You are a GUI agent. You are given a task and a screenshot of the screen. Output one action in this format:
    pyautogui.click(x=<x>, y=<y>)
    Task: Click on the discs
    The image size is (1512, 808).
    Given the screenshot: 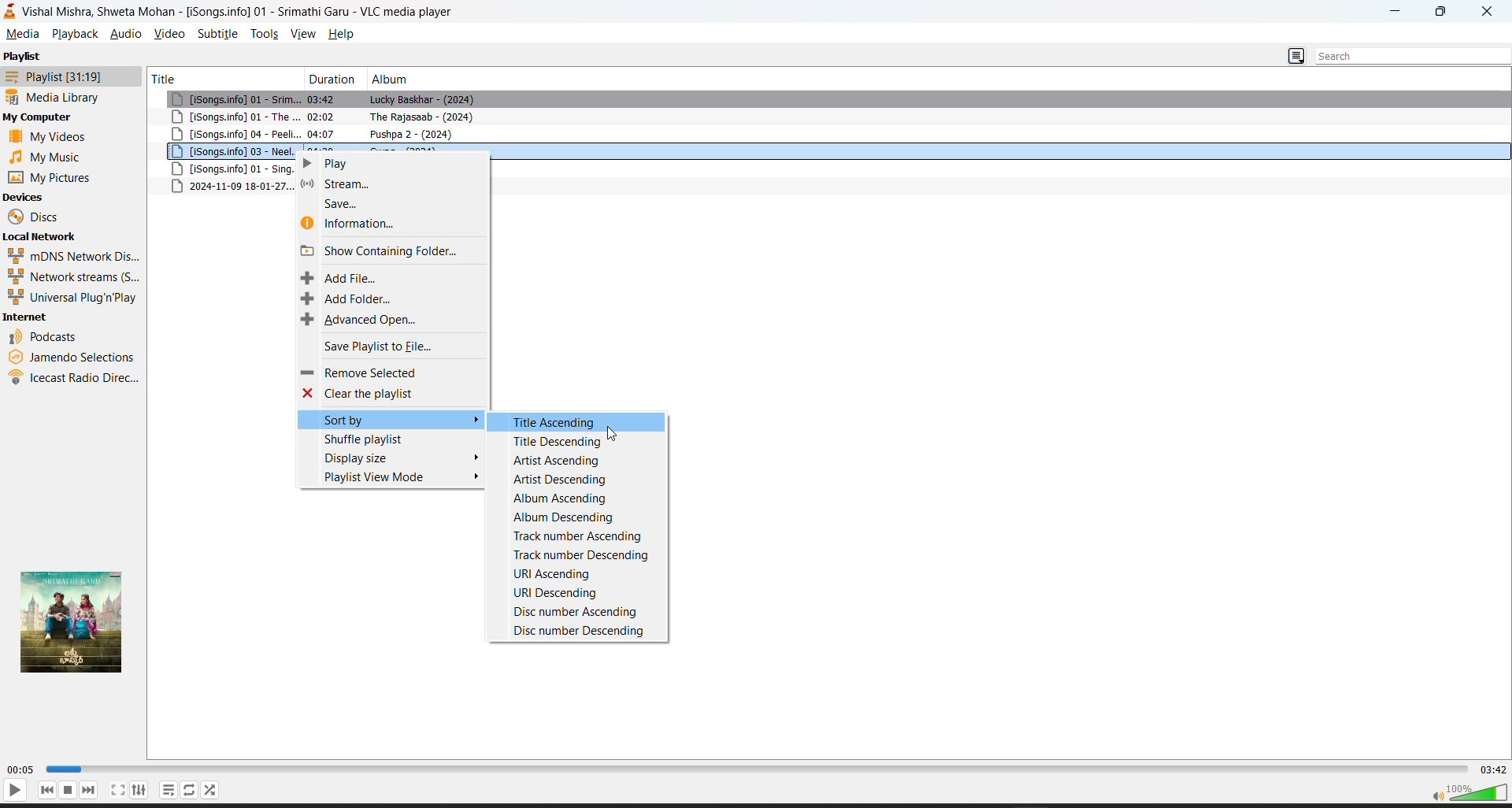 What is the action you would take?
    pyautogui.click(x=38, y=217)
    